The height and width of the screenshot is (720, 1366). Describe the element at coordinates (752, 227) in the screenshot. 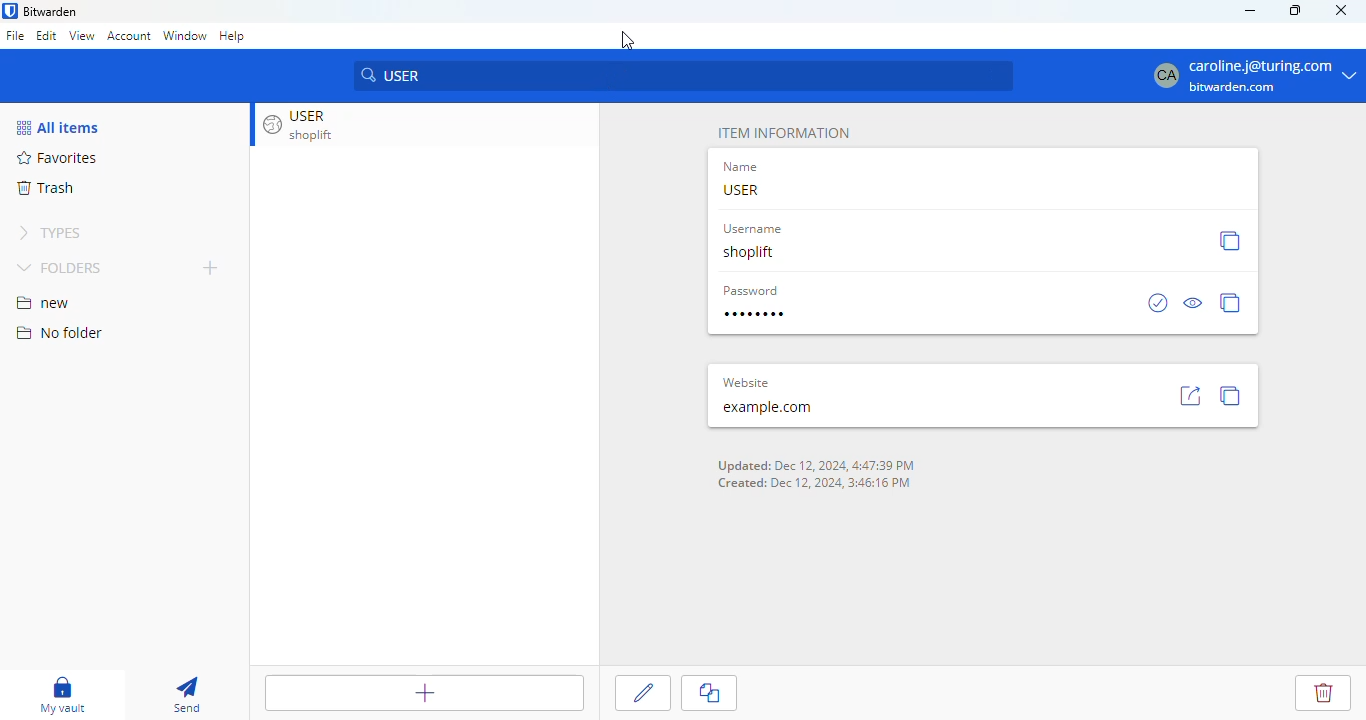

I see `Username` at that location.